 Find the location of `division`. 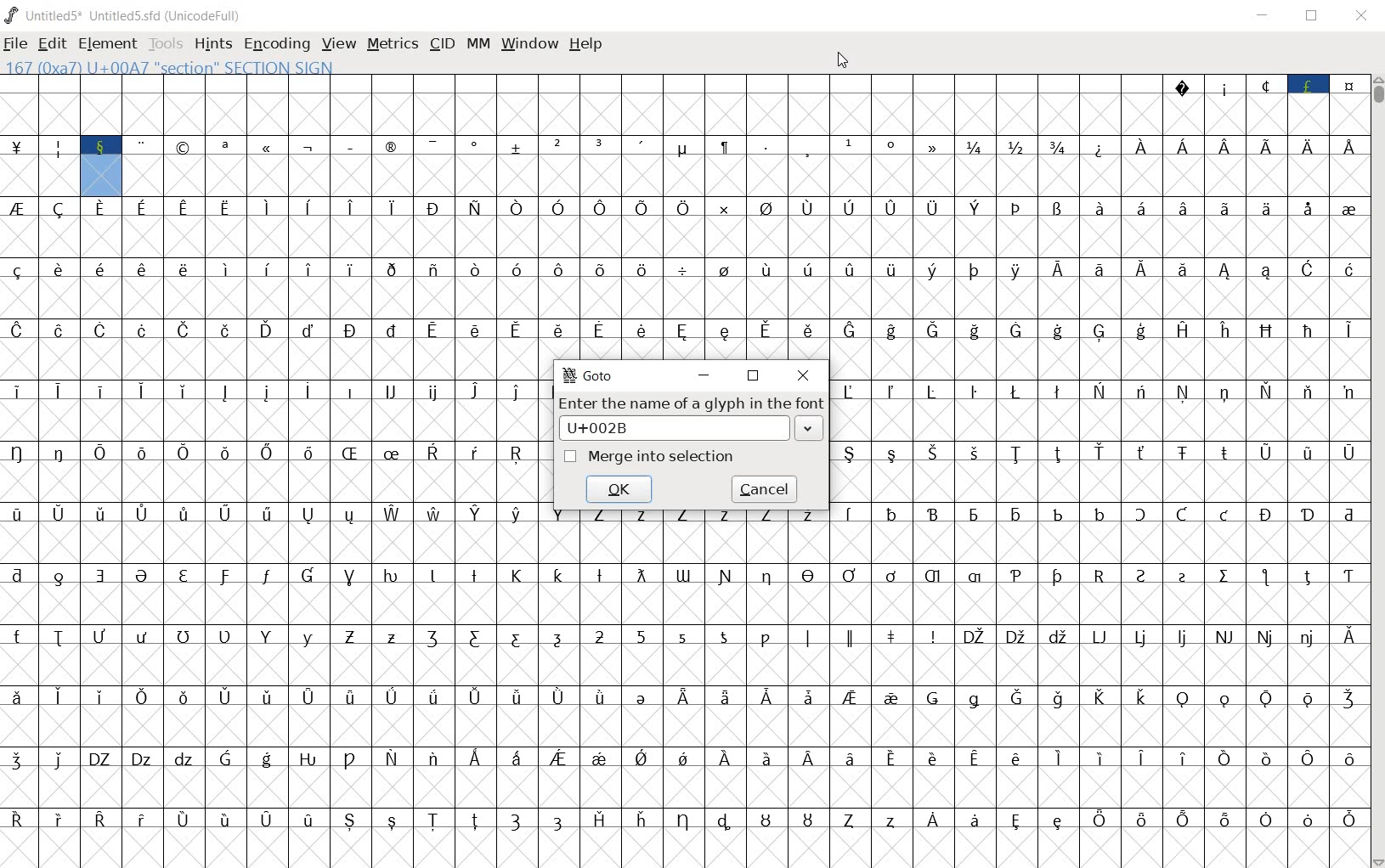

division is located at coordinates (686, 288).